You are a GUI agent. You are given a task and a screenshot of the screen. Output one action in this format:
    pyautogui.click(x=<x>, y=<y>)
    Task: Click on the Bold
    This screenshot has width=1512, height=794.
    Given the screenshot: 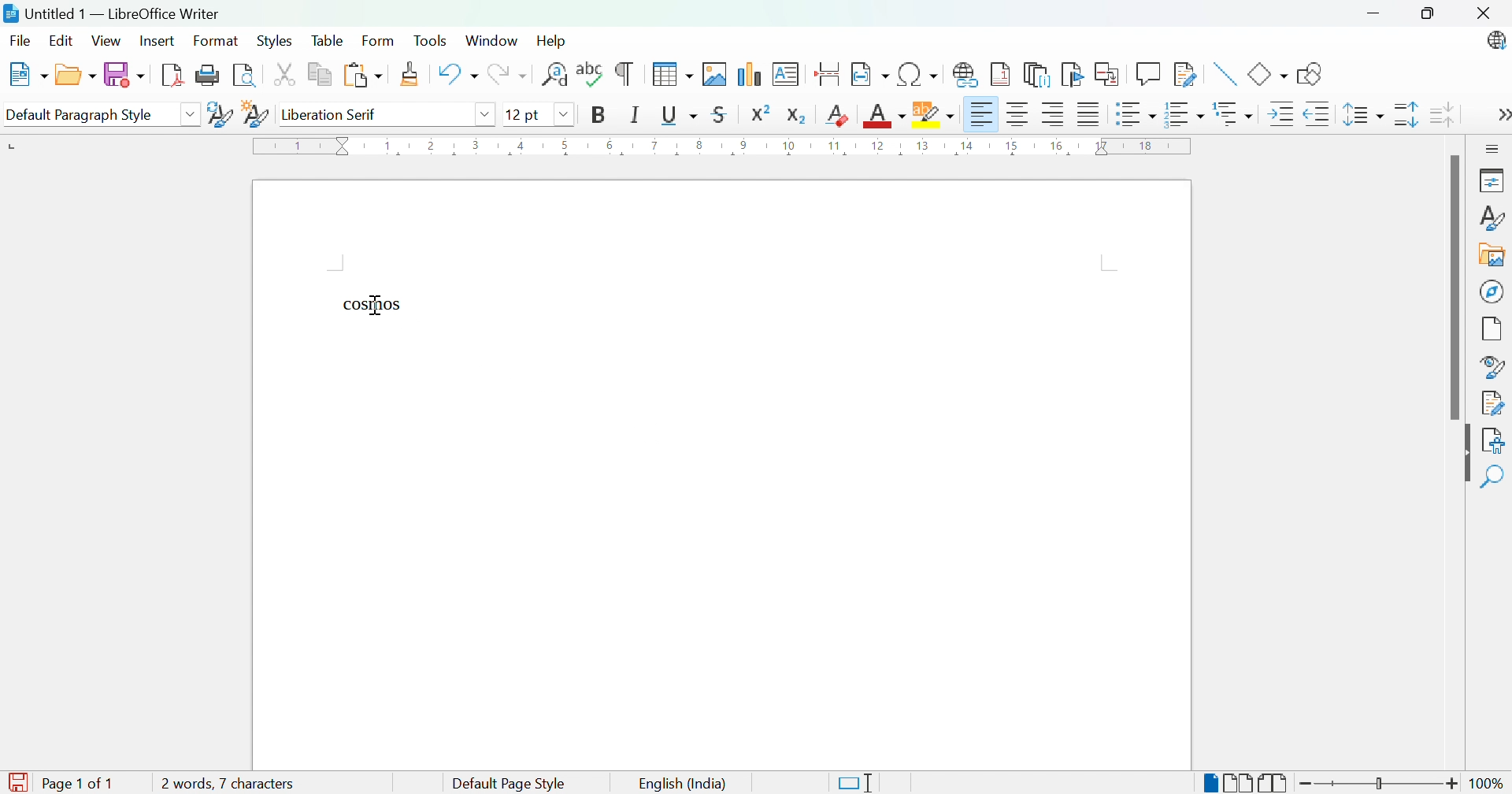 What is the action you would take?
    pyautogui.click(x=595, y=114)
    